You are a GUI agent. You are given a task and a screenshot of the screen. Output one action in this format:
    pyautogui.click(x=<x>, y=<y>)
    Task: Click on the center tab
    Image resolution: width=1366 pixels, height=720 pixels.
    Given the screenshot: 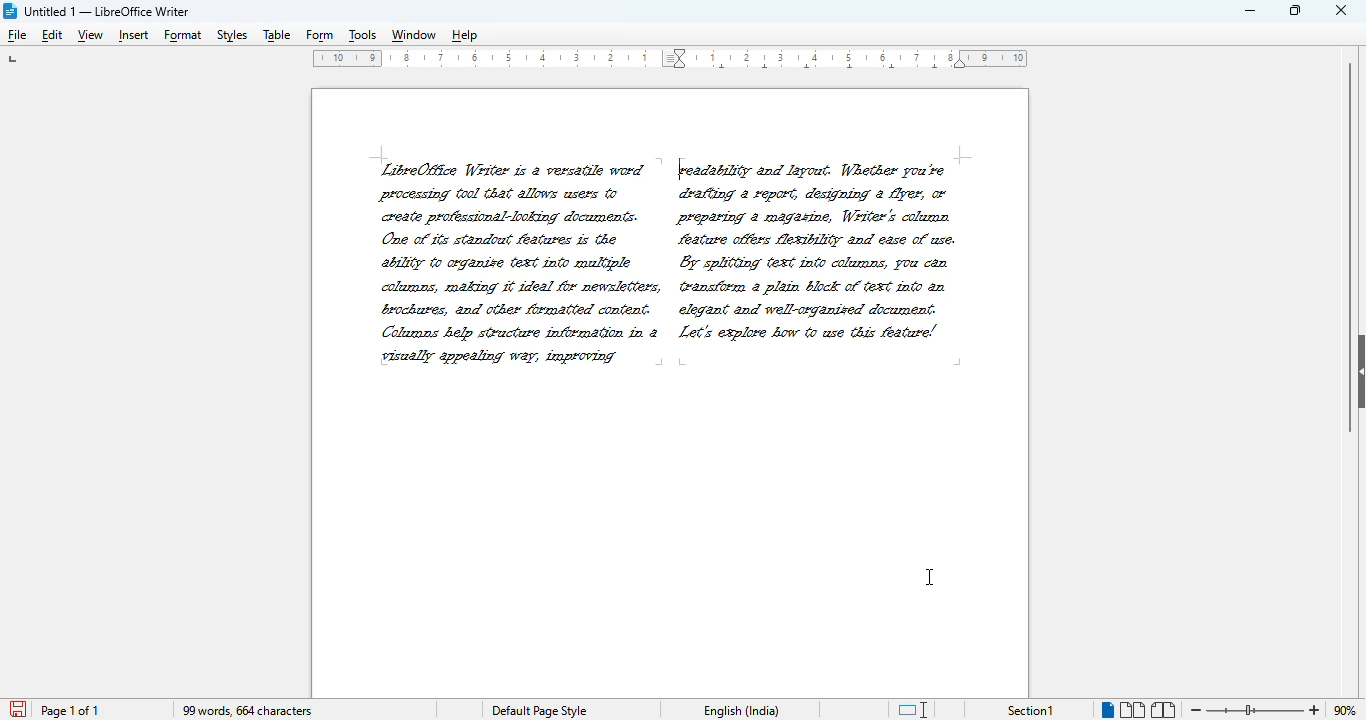 What is the action you would take?
    pyautogui.click(x=848, y=67)
    